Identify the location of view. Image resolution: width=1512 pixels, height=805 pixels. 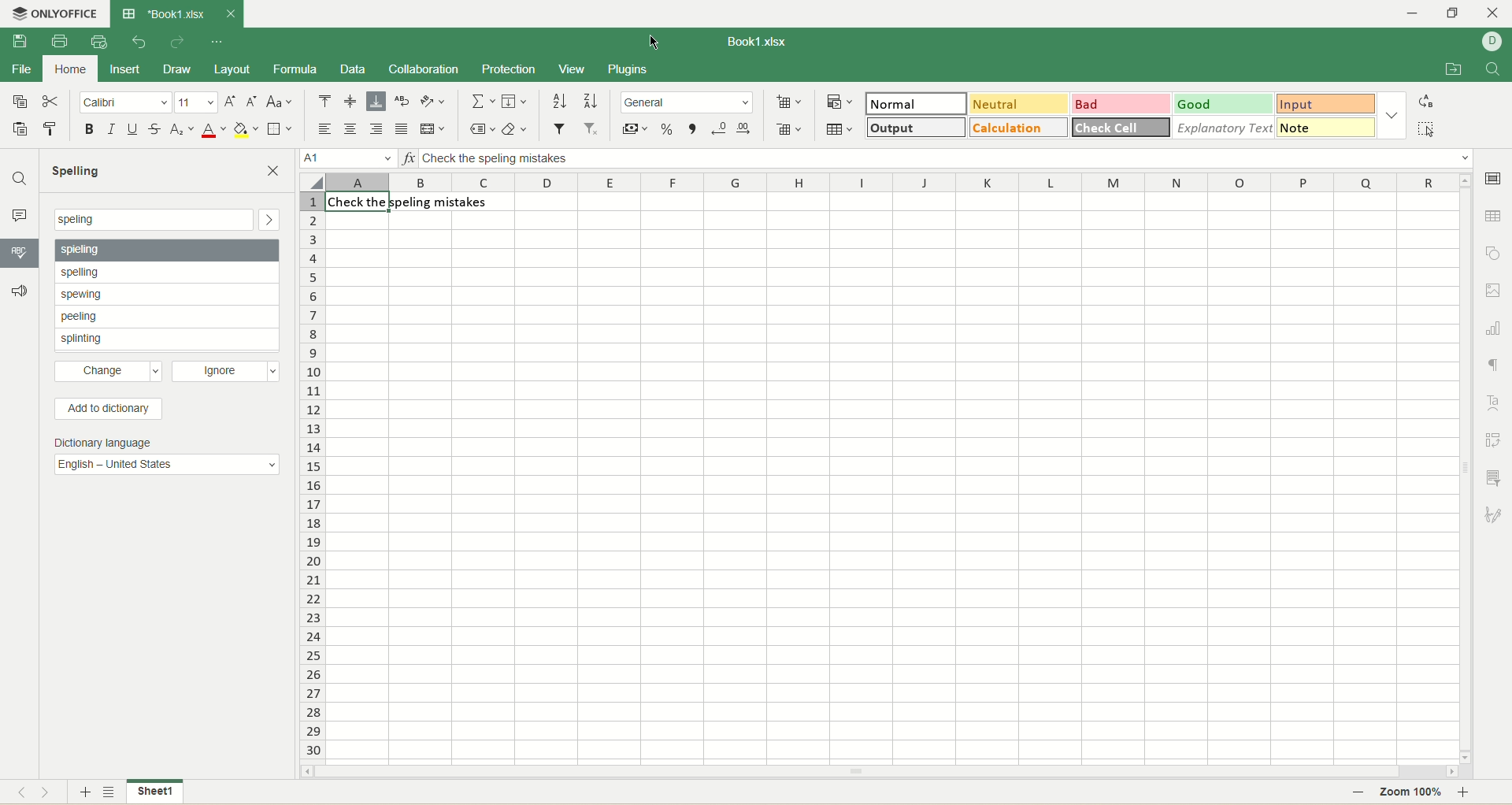
(570, 70).